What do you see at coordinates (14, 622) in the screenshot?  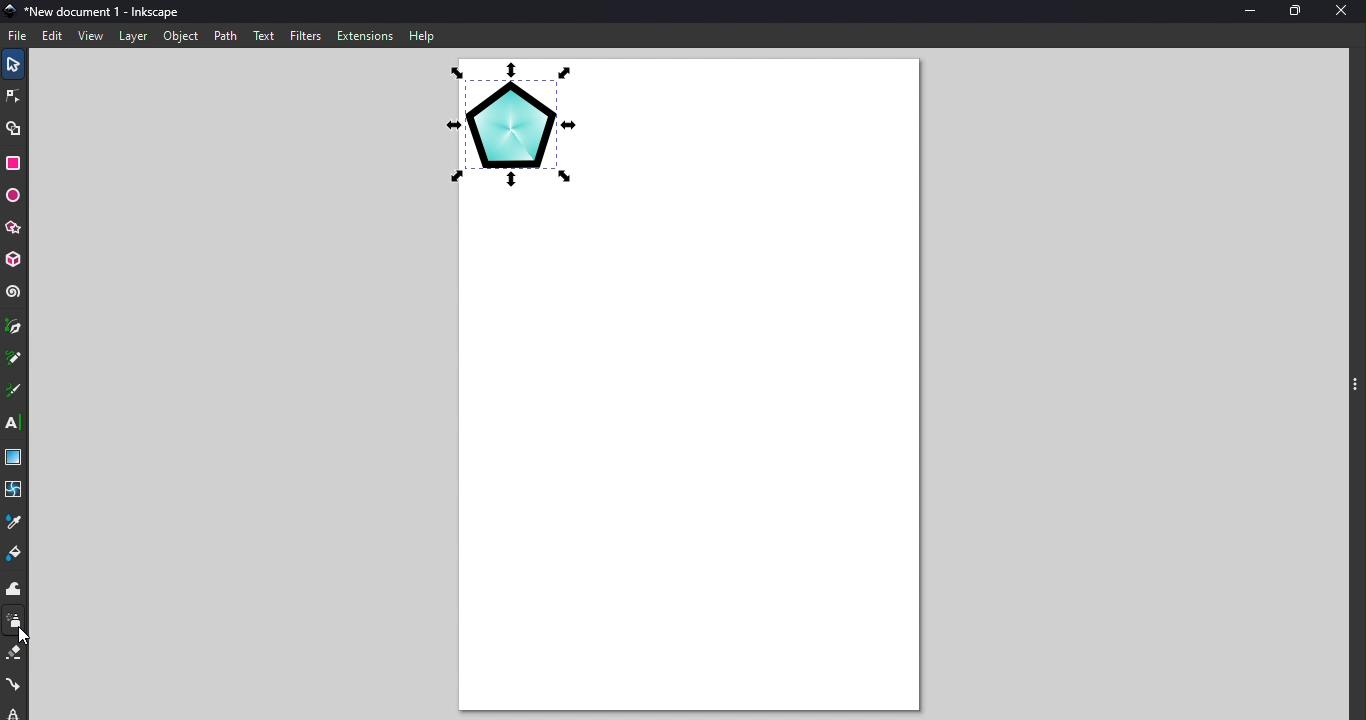 I see `Spray tool` at bounding box center [14, 622].